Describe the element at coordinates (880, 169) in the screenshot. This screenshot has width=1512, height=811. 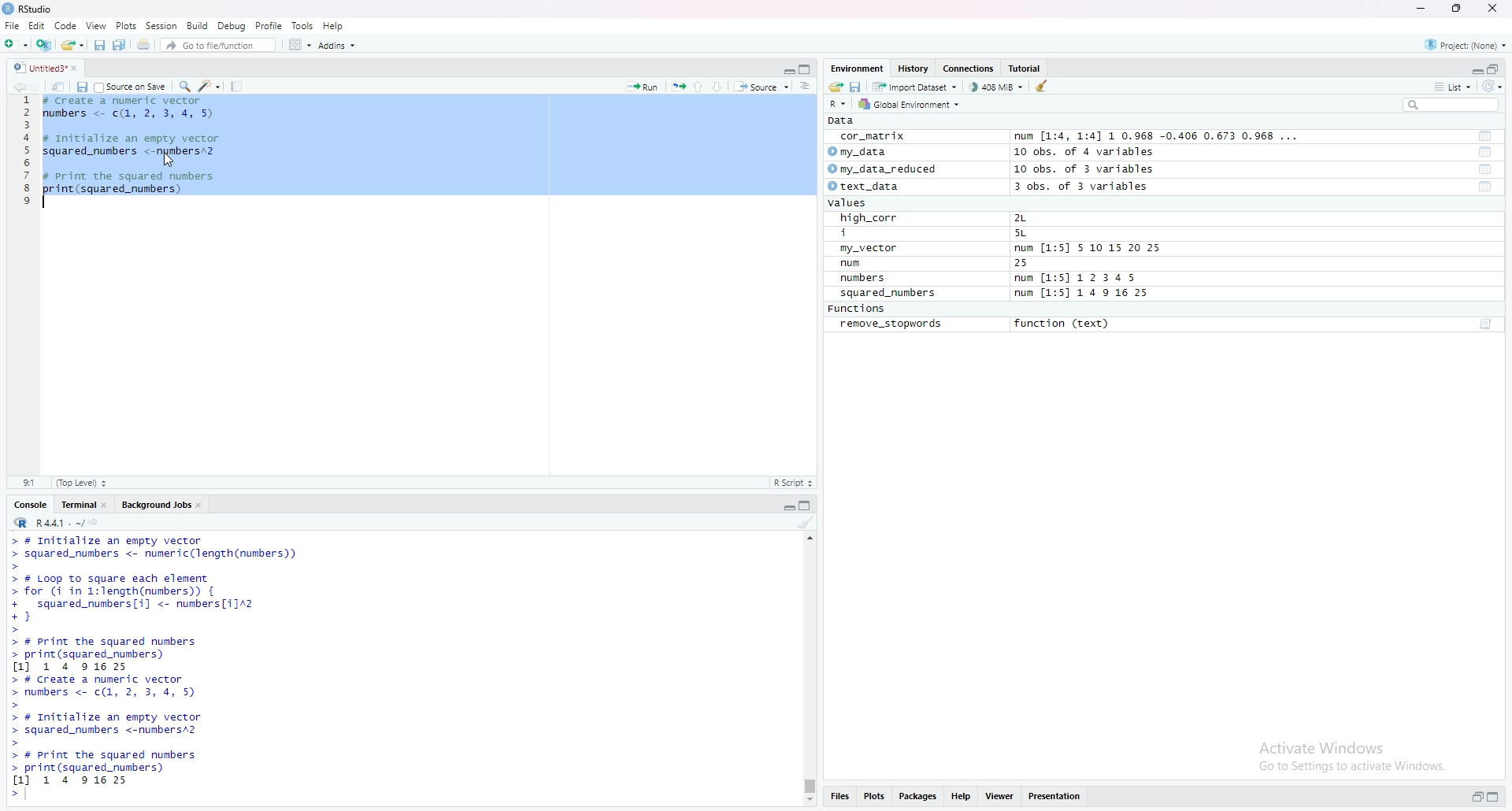
I see `© my_data_reduced` at that location.